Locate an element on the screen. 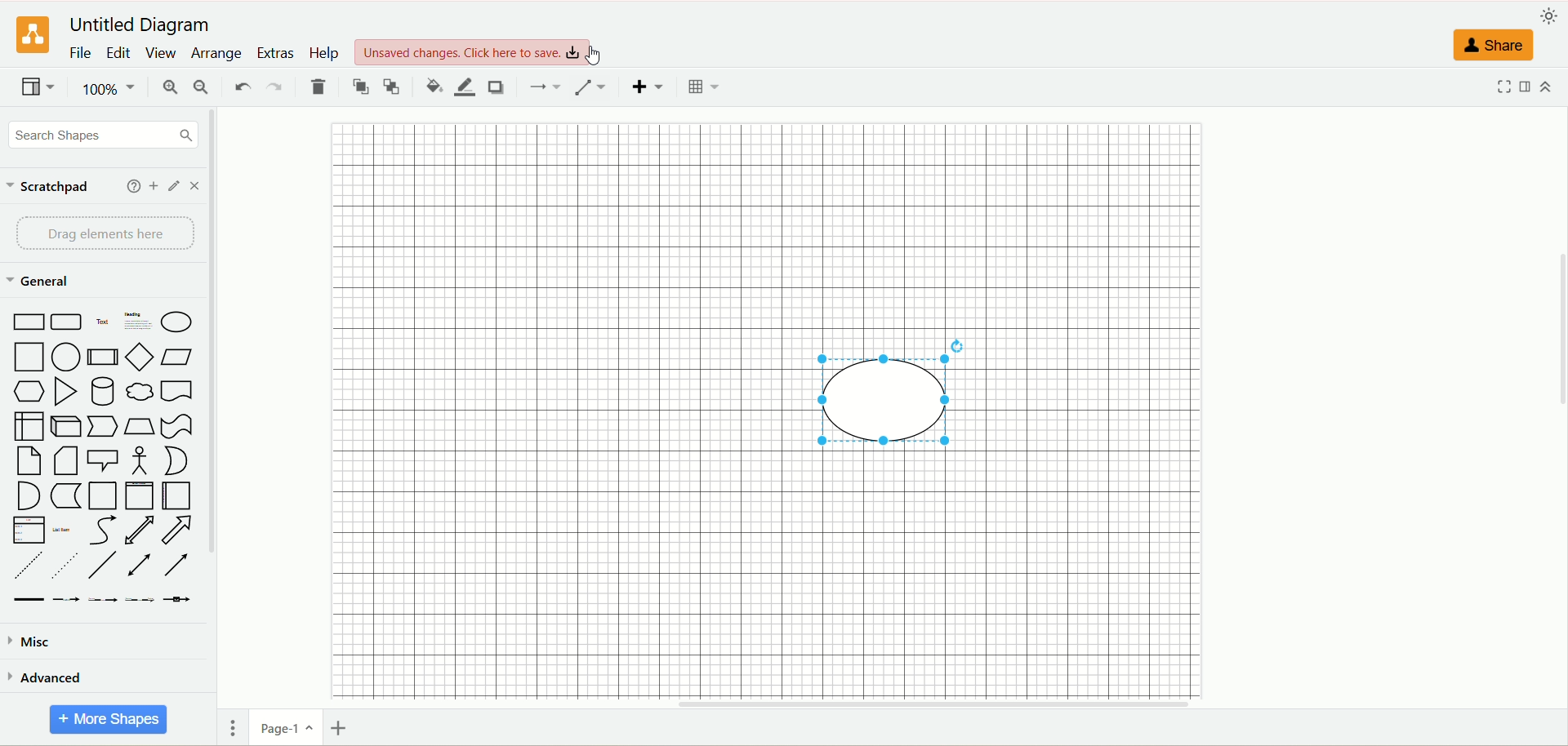 This screenshot has height=746, width=1568. cloud is located at coordinates (141, 392).